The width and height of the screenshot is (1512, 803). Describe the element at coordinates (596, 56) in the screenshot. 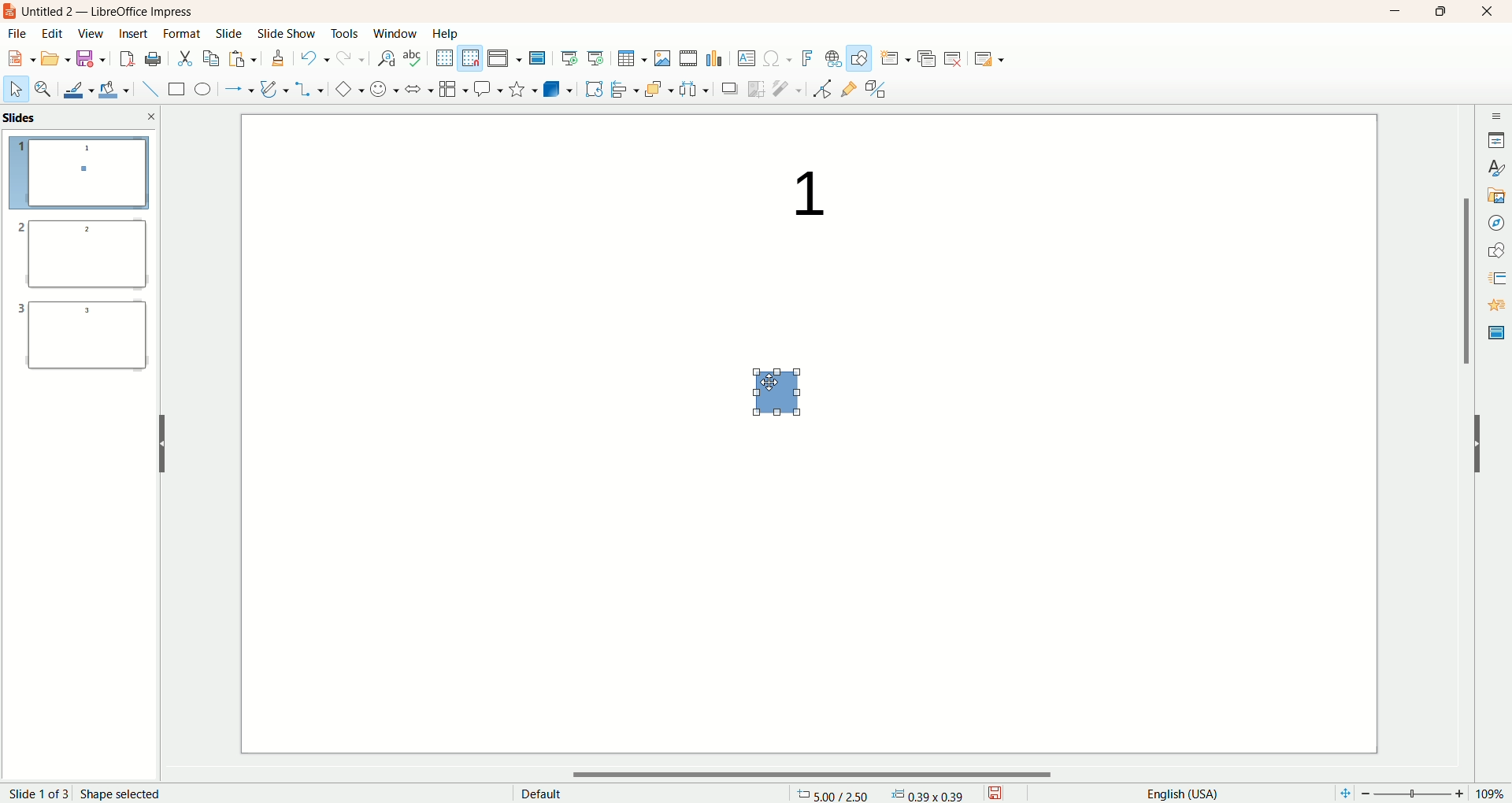

I see `start from current slide` at that location.